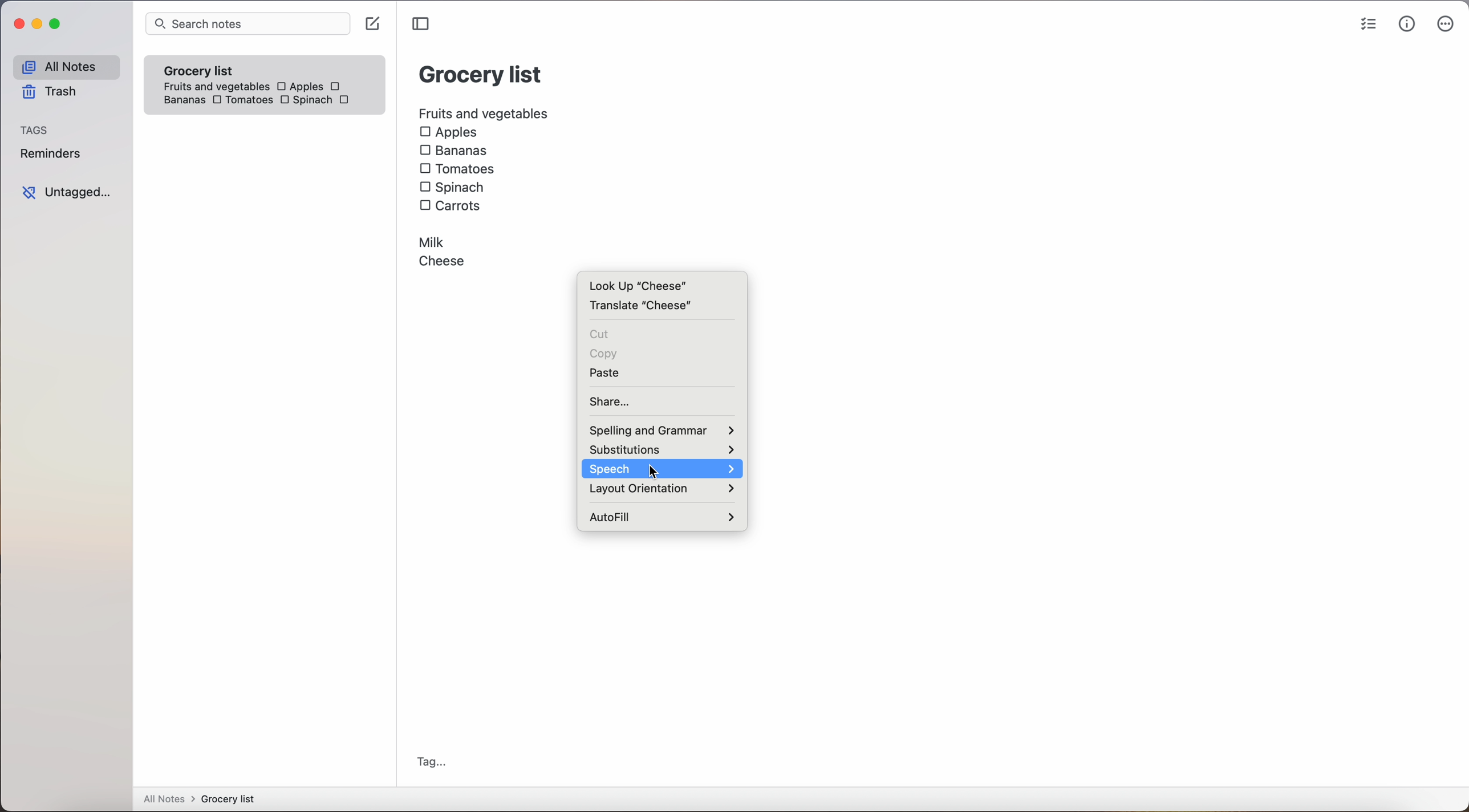 The image size is (1469, 812). What do you see at coordinates (637, 285) in the screenshot?
I see `look up cheese` at bounding box center [637, 285].